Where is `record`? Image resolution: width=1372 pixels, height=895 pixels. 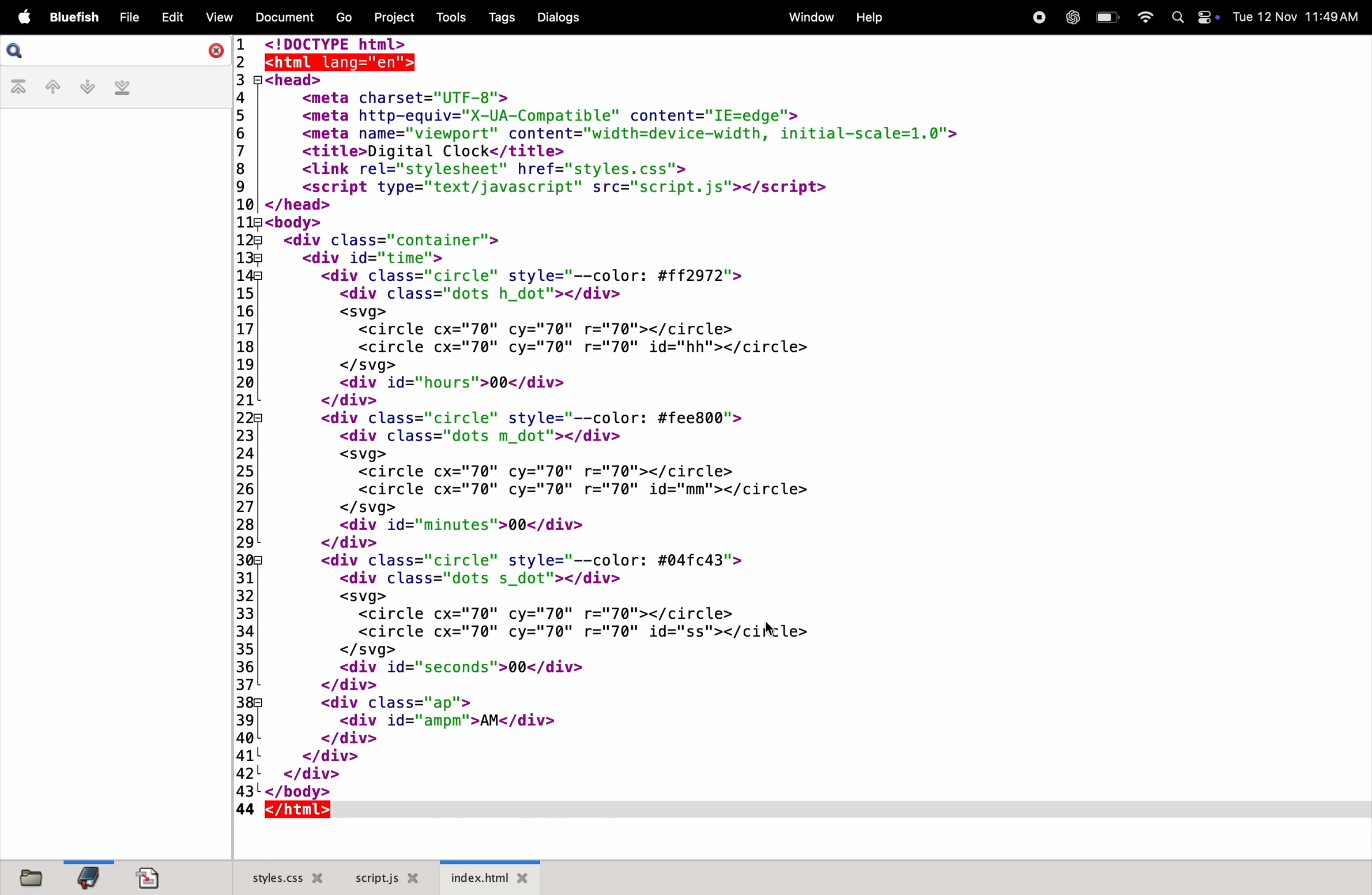
record is located at coordinates (1035, 17).